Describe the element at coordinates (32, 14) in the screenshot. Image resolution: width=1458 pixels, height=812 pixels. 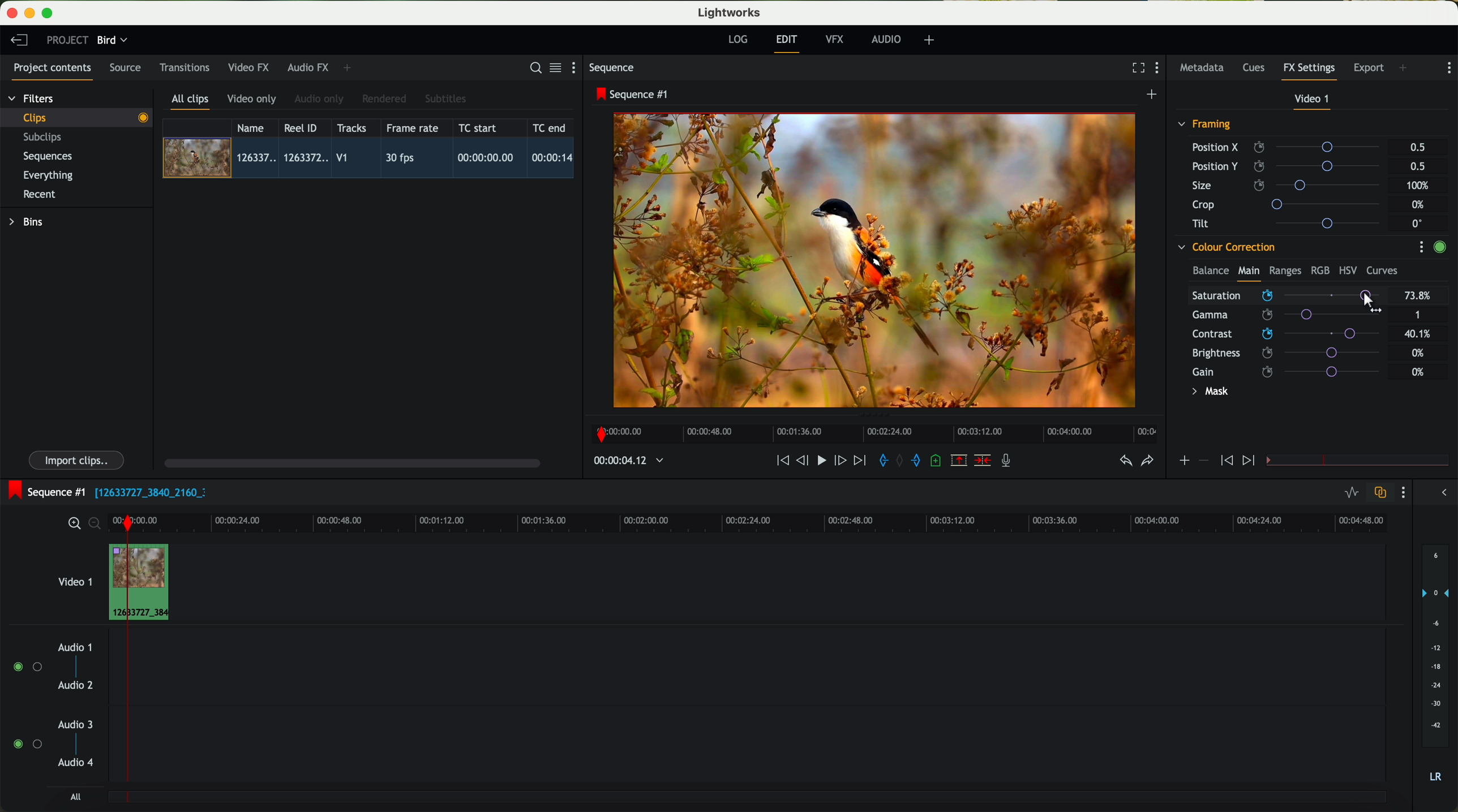
I see `minimize program` at that location.